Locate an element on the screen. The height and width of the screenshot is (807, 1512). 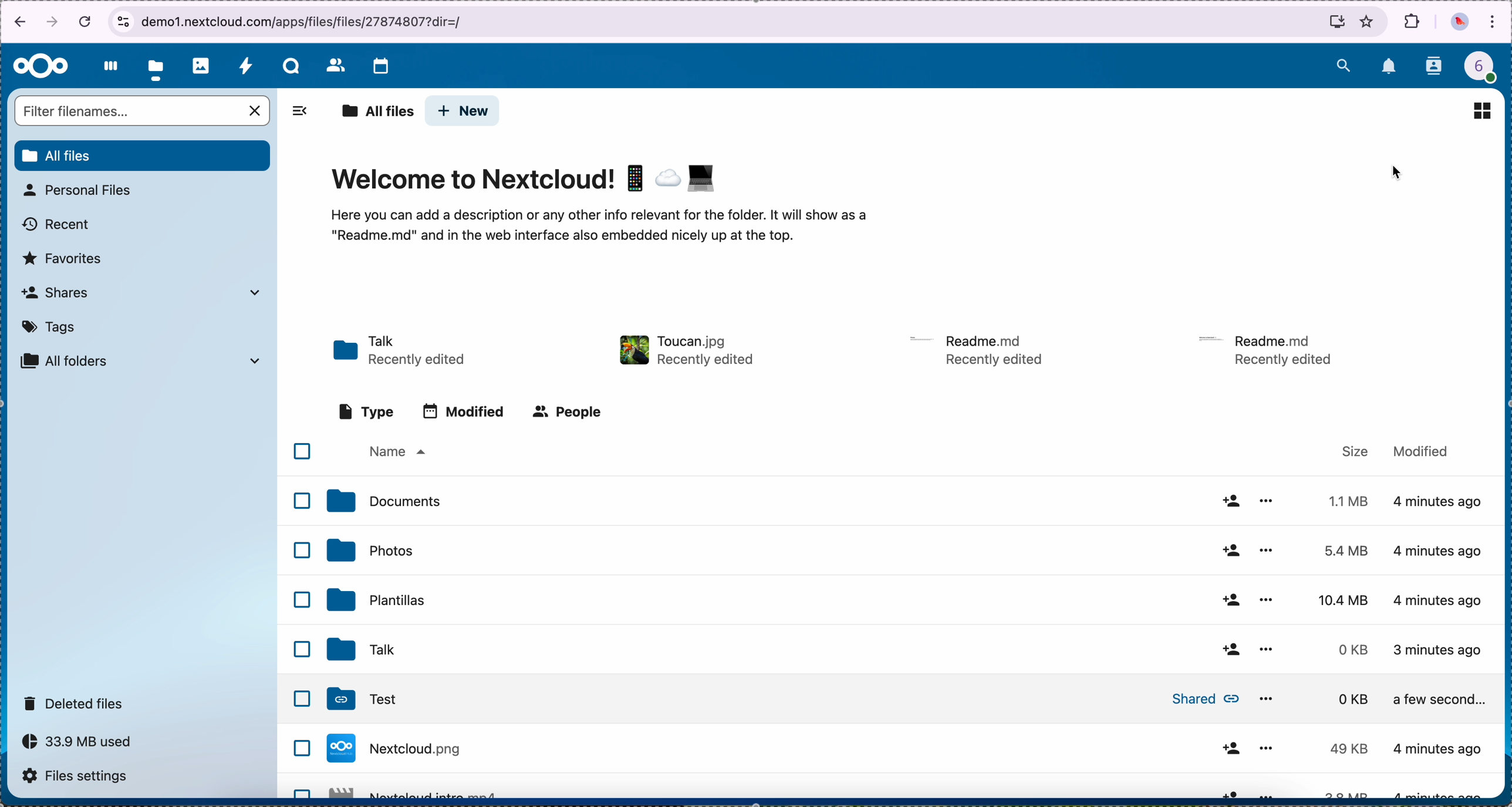
welcome text is located at coordinates (597, 229).